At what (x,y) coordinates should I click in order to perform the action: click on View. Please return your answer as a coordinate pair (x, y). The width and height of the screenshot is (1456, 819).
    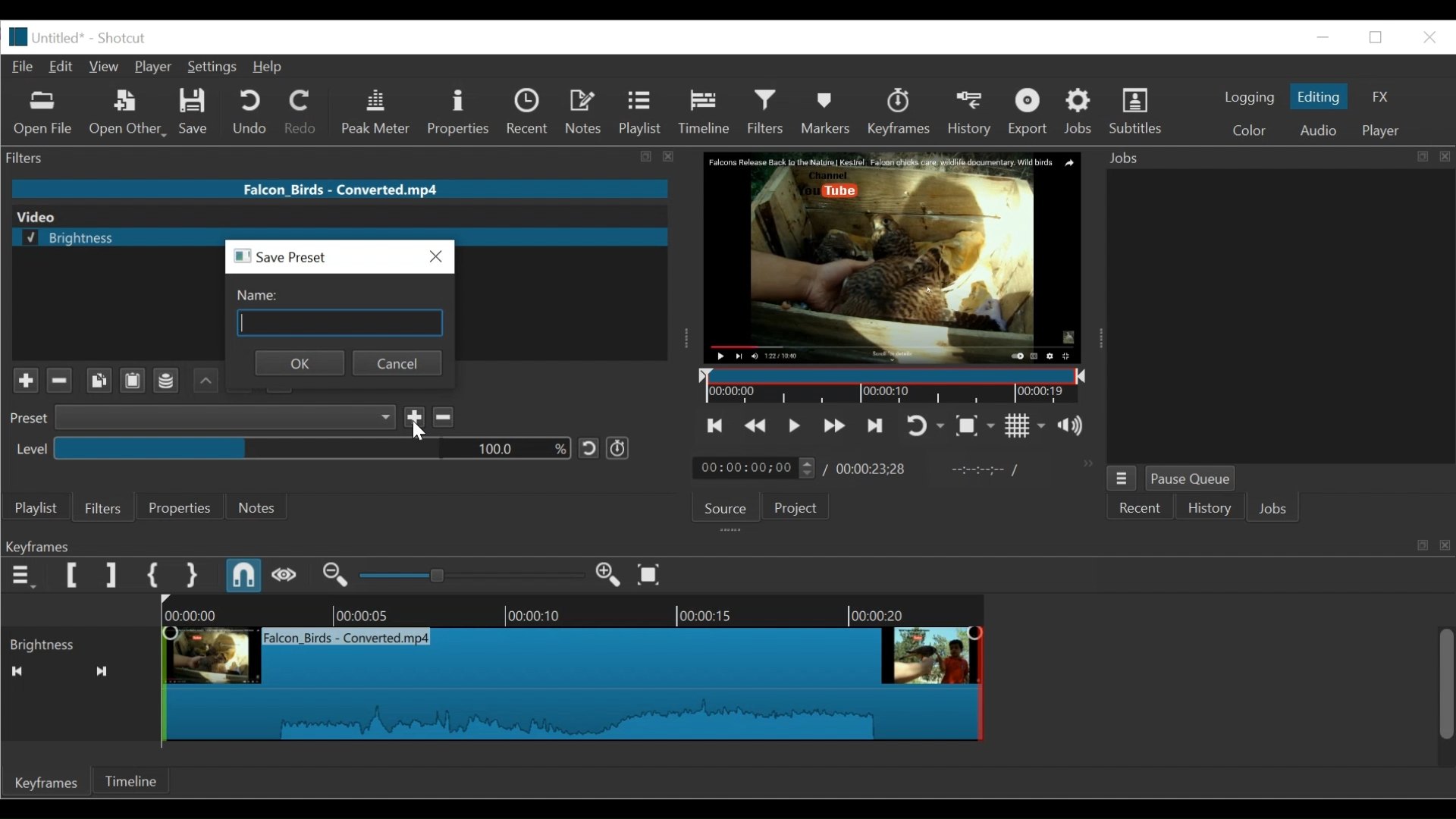
    Looking at the image, I should click on (103, 67).